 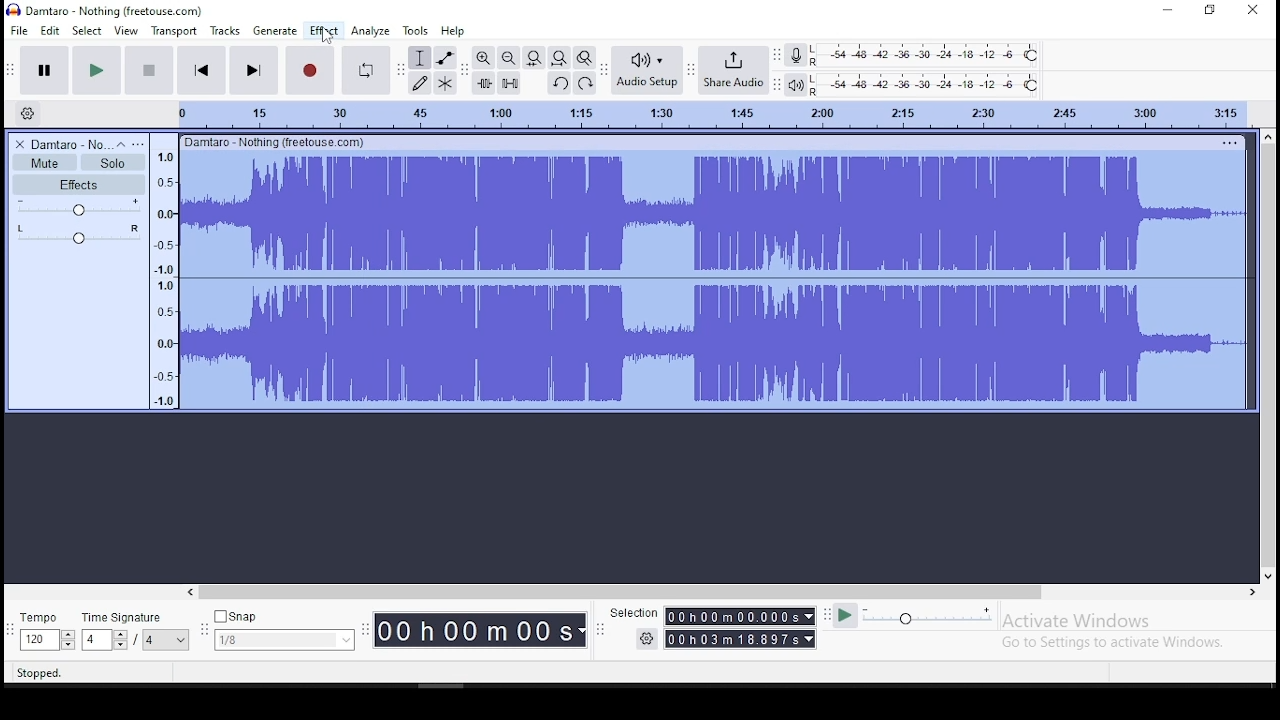 I want to click on Drop down, so click(x=119, y=639).